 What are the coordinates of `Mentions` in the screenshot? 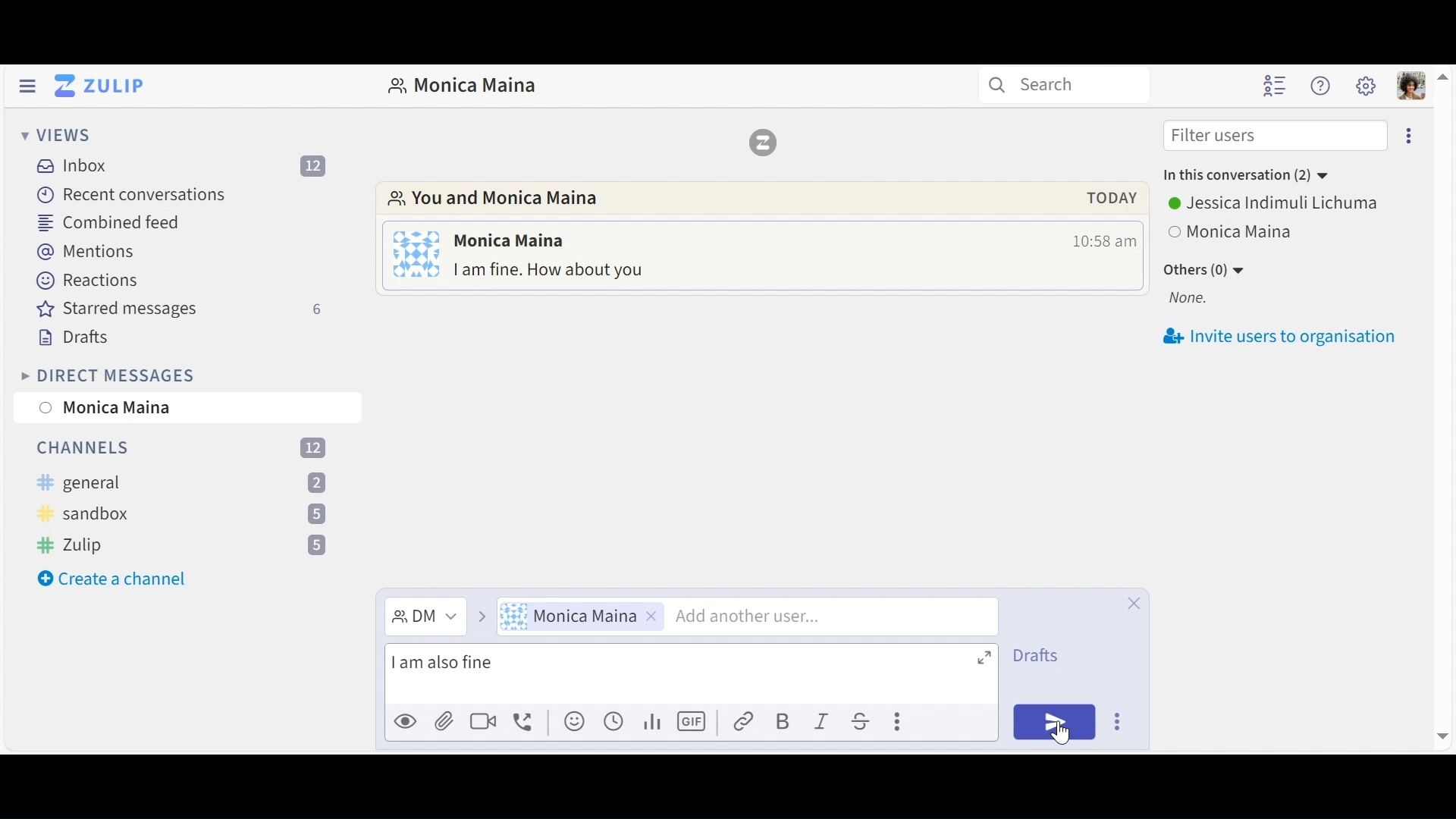 It's located at (87, 251).